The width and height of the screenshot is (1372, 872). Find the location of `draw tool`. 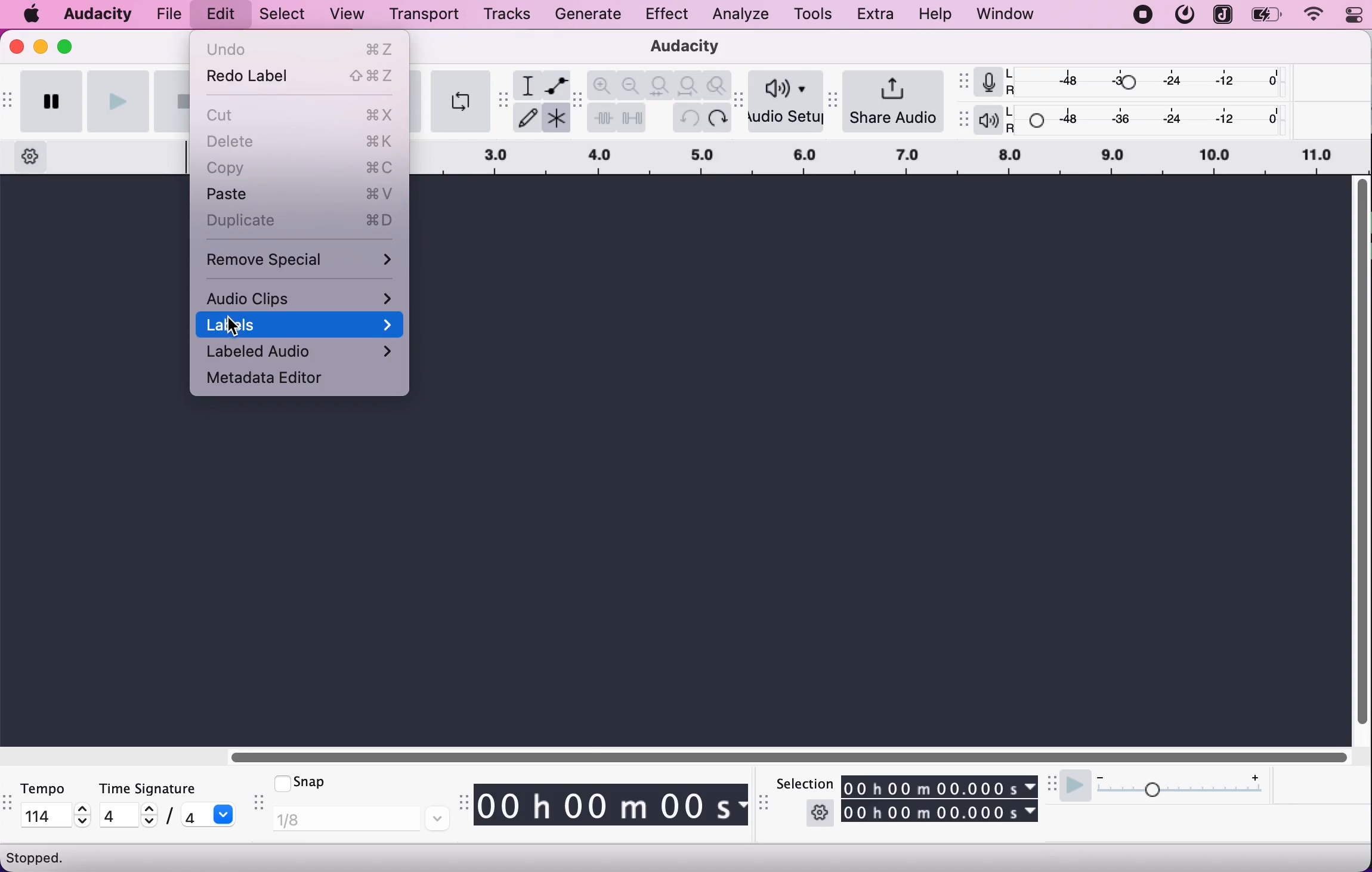

draw tool is located at coordinates (527, 119).